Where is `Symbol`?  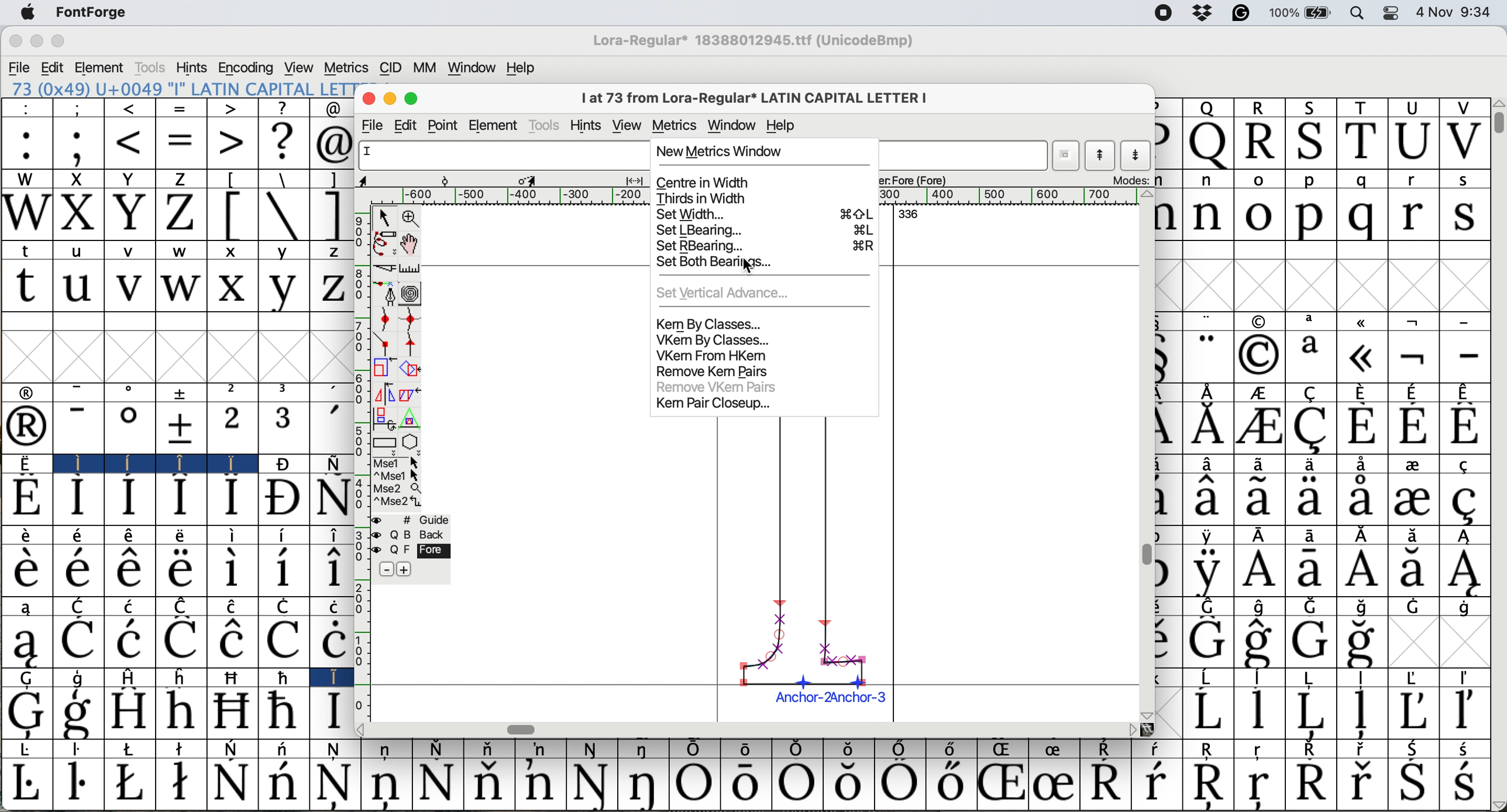
Symbol is located at coordinates (1414, 427).